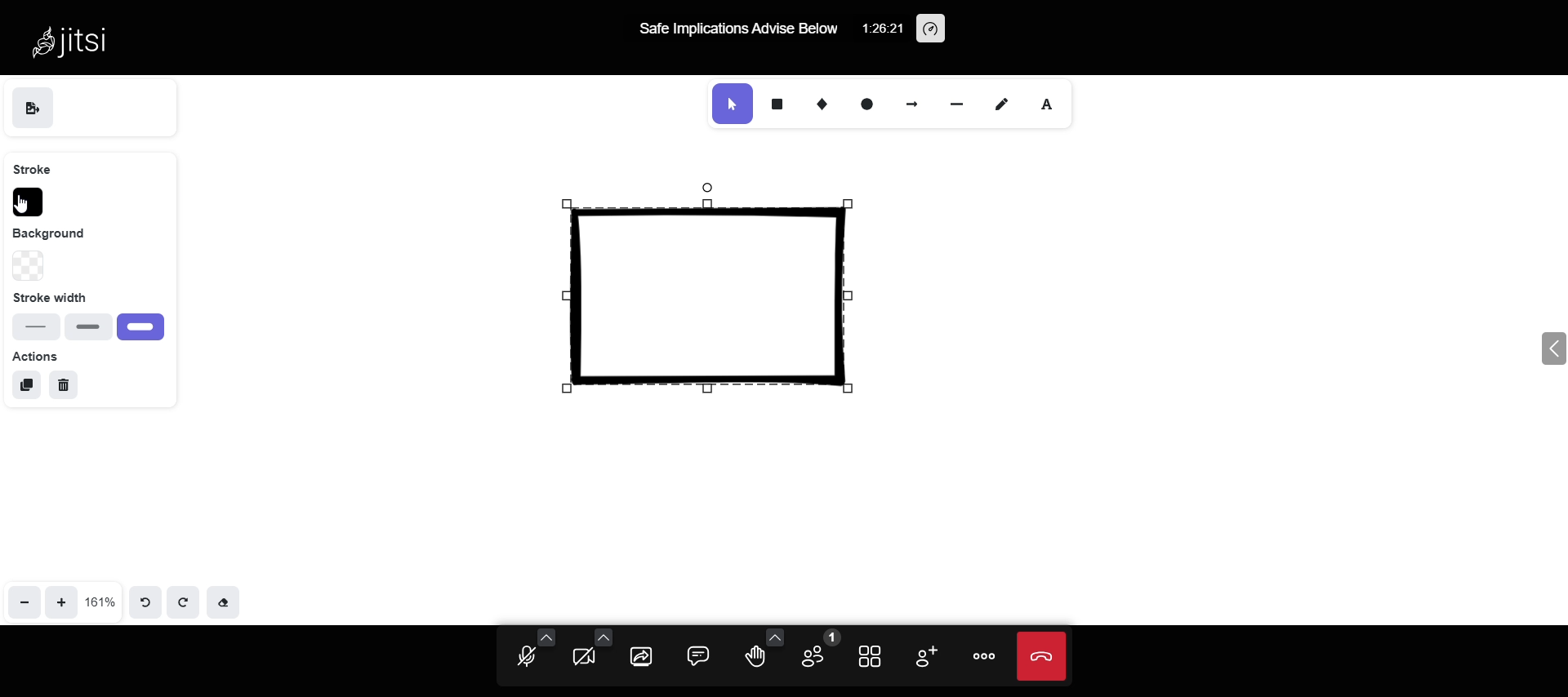  Describe the element at coordinates (23, 382) in the screenshot. I see `duplicate` at that location.